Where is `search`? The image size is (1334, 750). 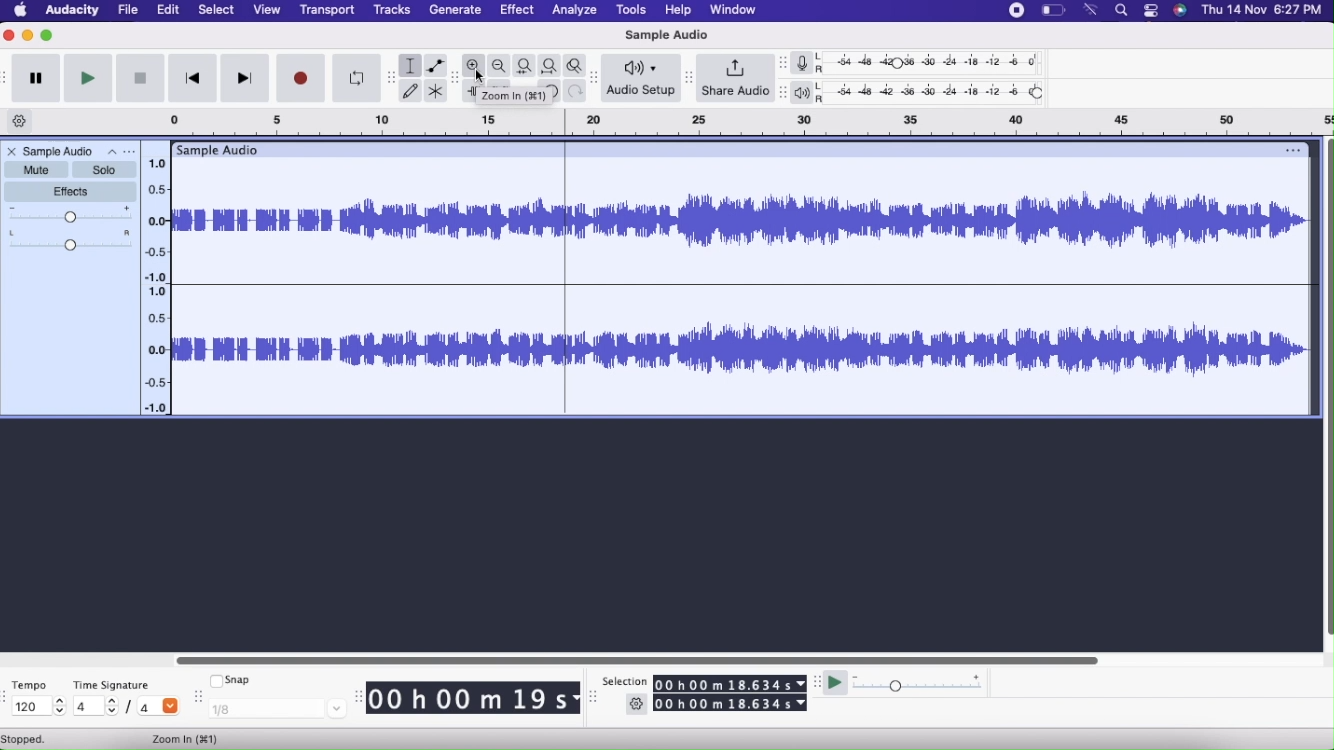 search is located at coordinates (1120, 11).